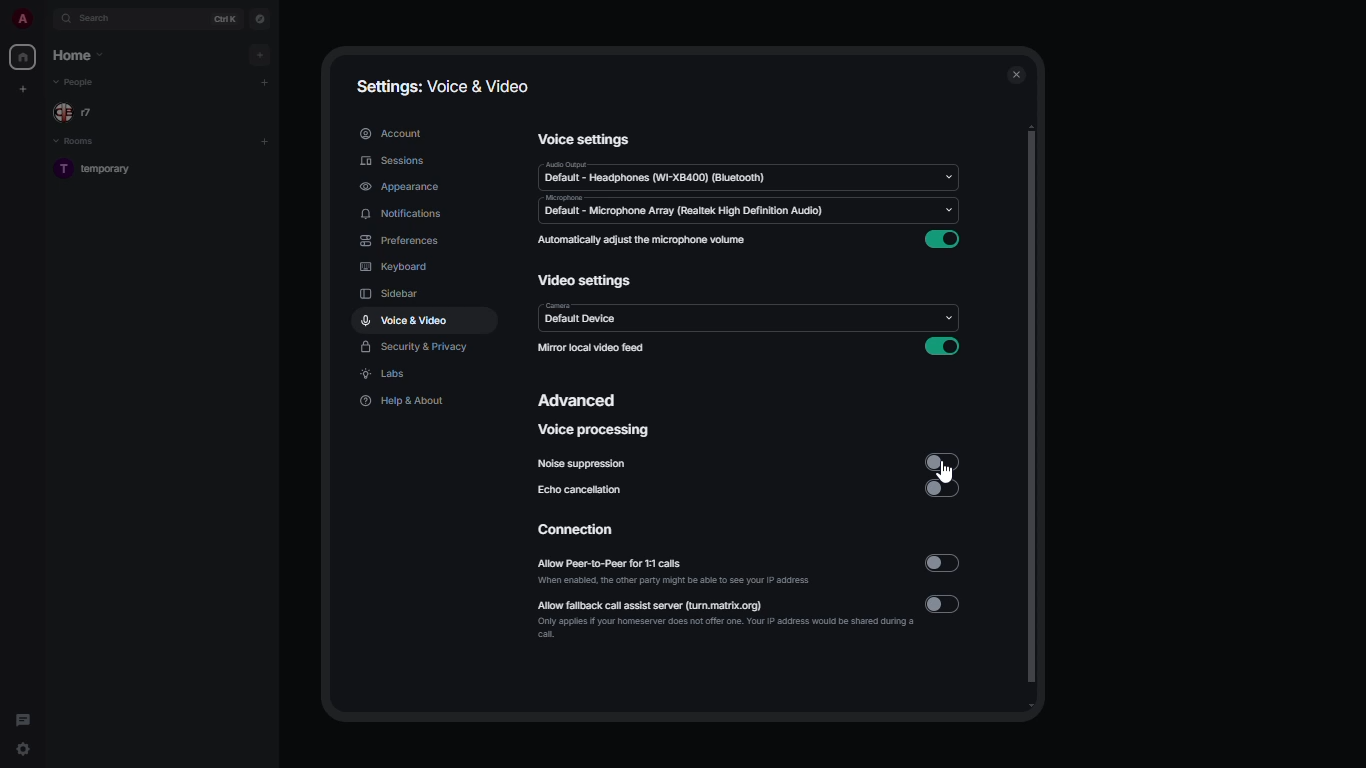 The image size is (1366, 768). I want to click on people, so click(78, 111).